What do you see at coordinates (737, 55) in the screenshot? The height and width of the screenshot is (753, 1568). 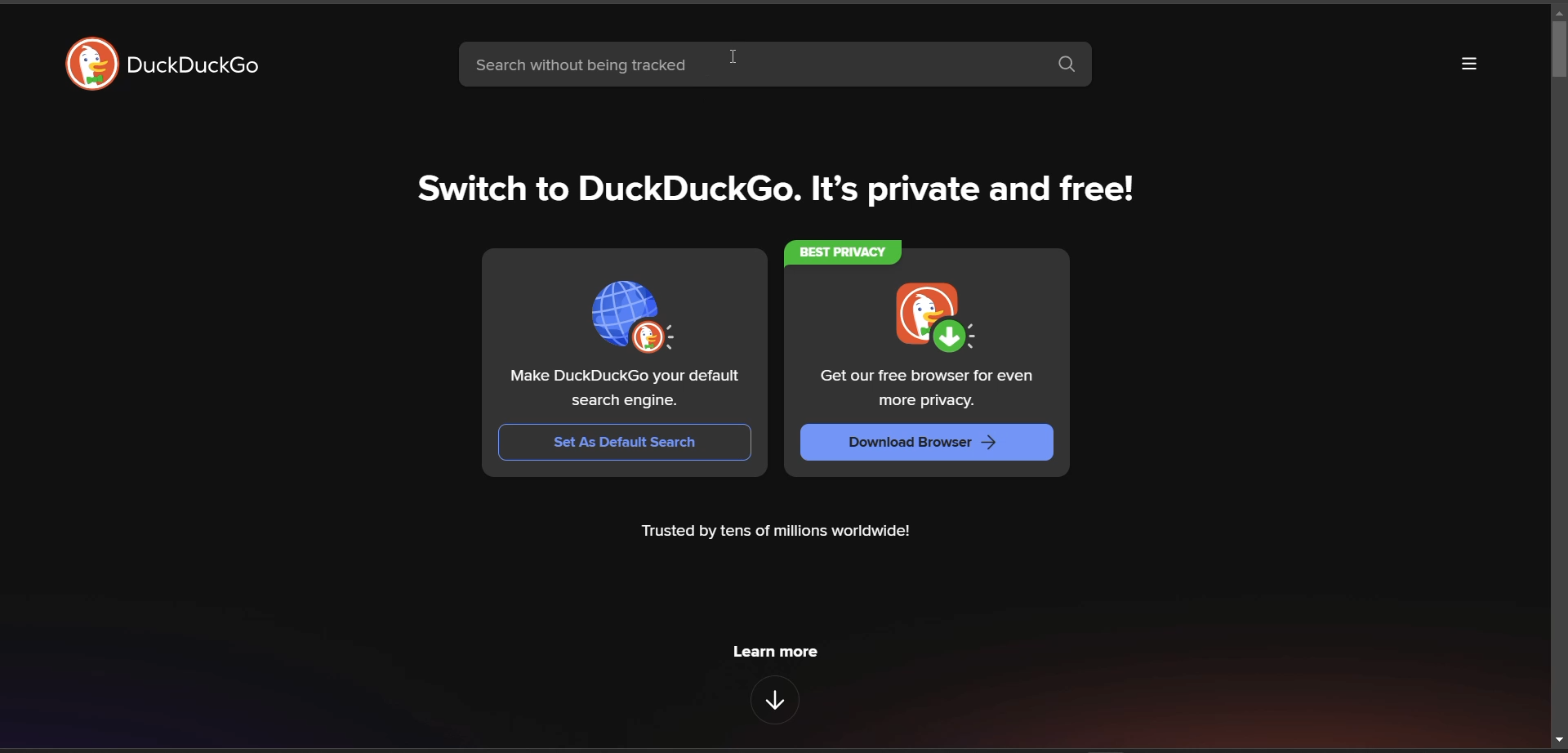 I see `cursor` at bounding box center [737, 55].